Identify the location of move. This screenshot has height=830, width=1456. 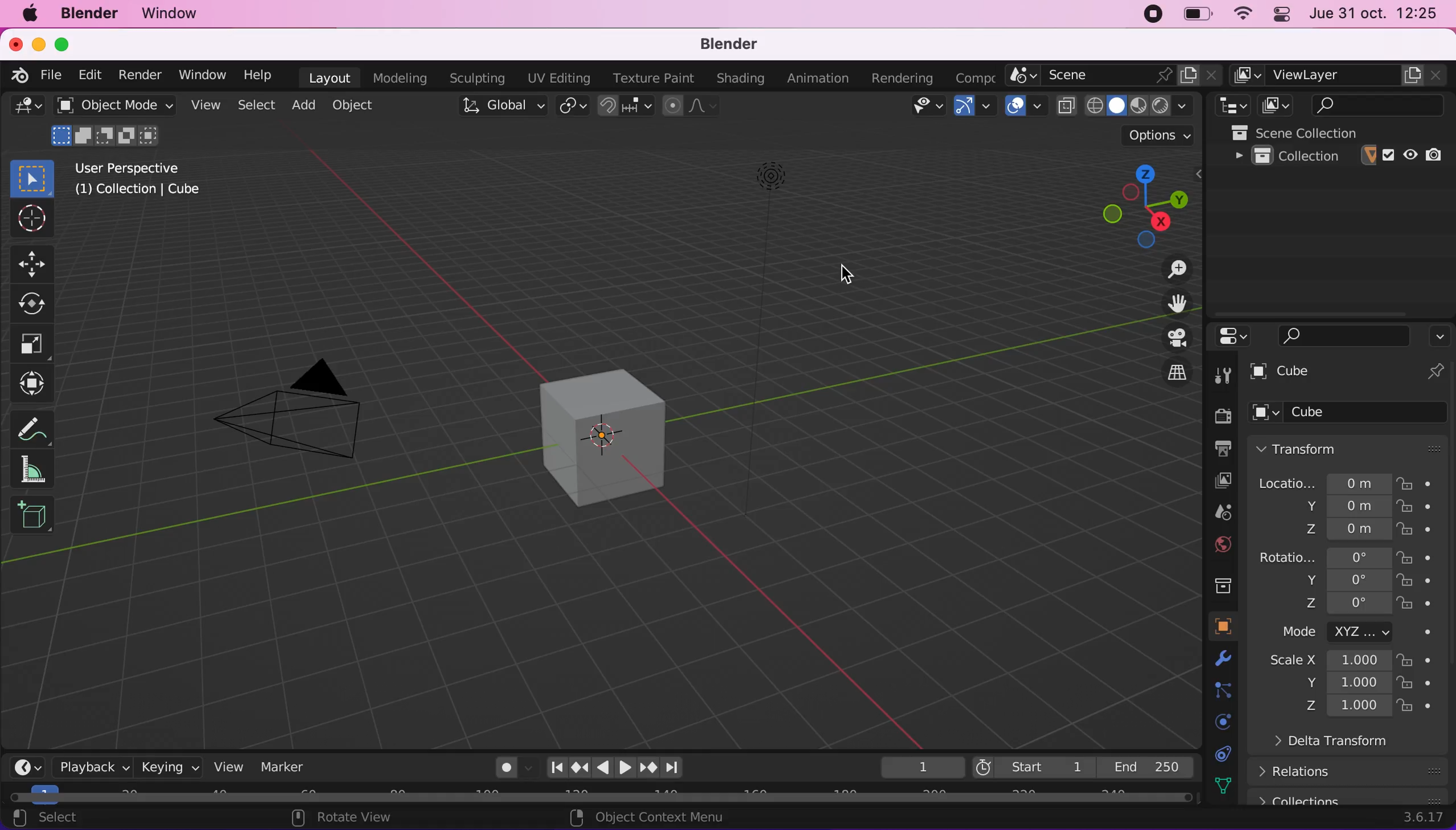
(35, 263).